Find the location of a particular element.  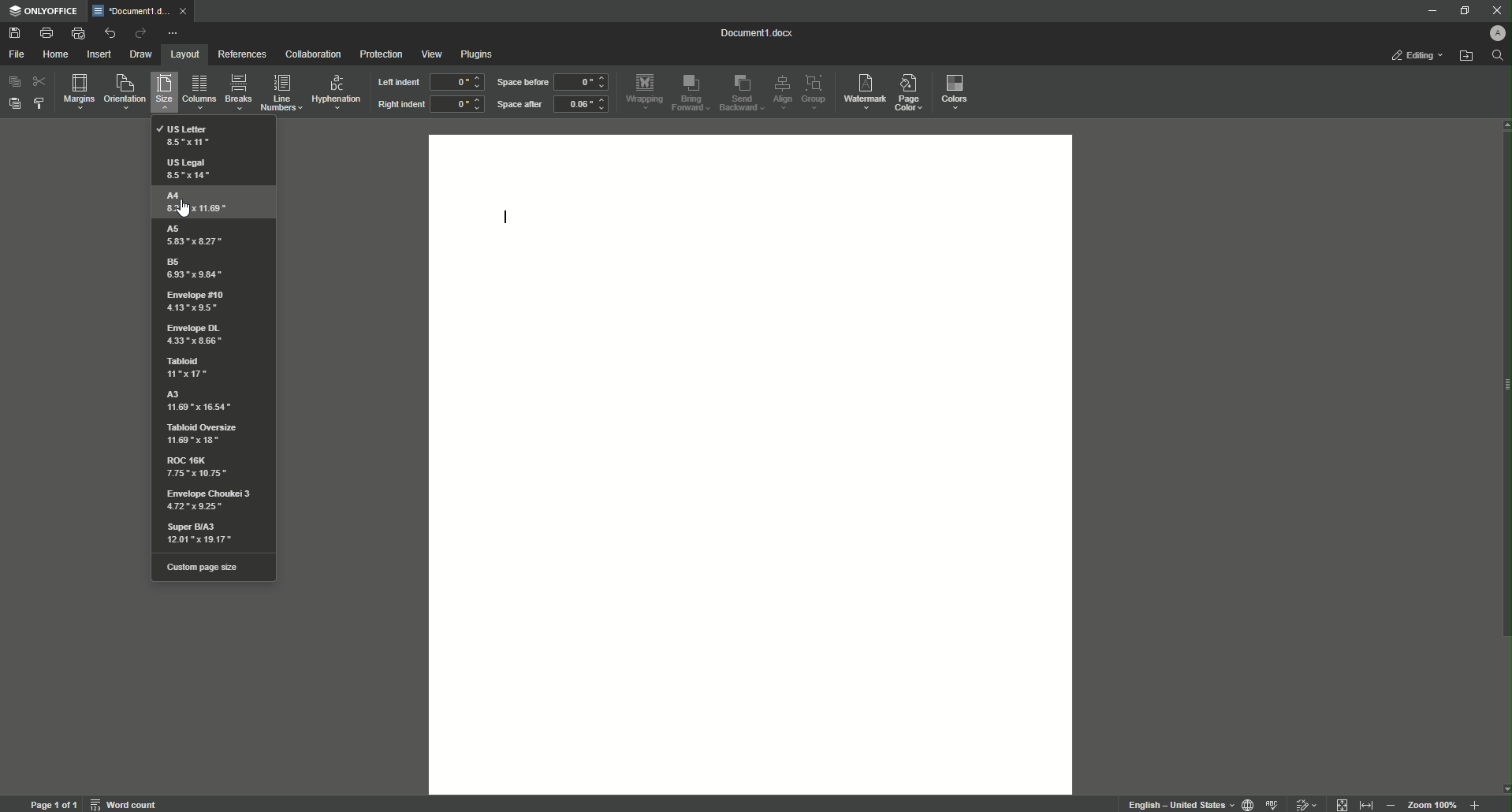

Word count is located at coordinates (125, 804).